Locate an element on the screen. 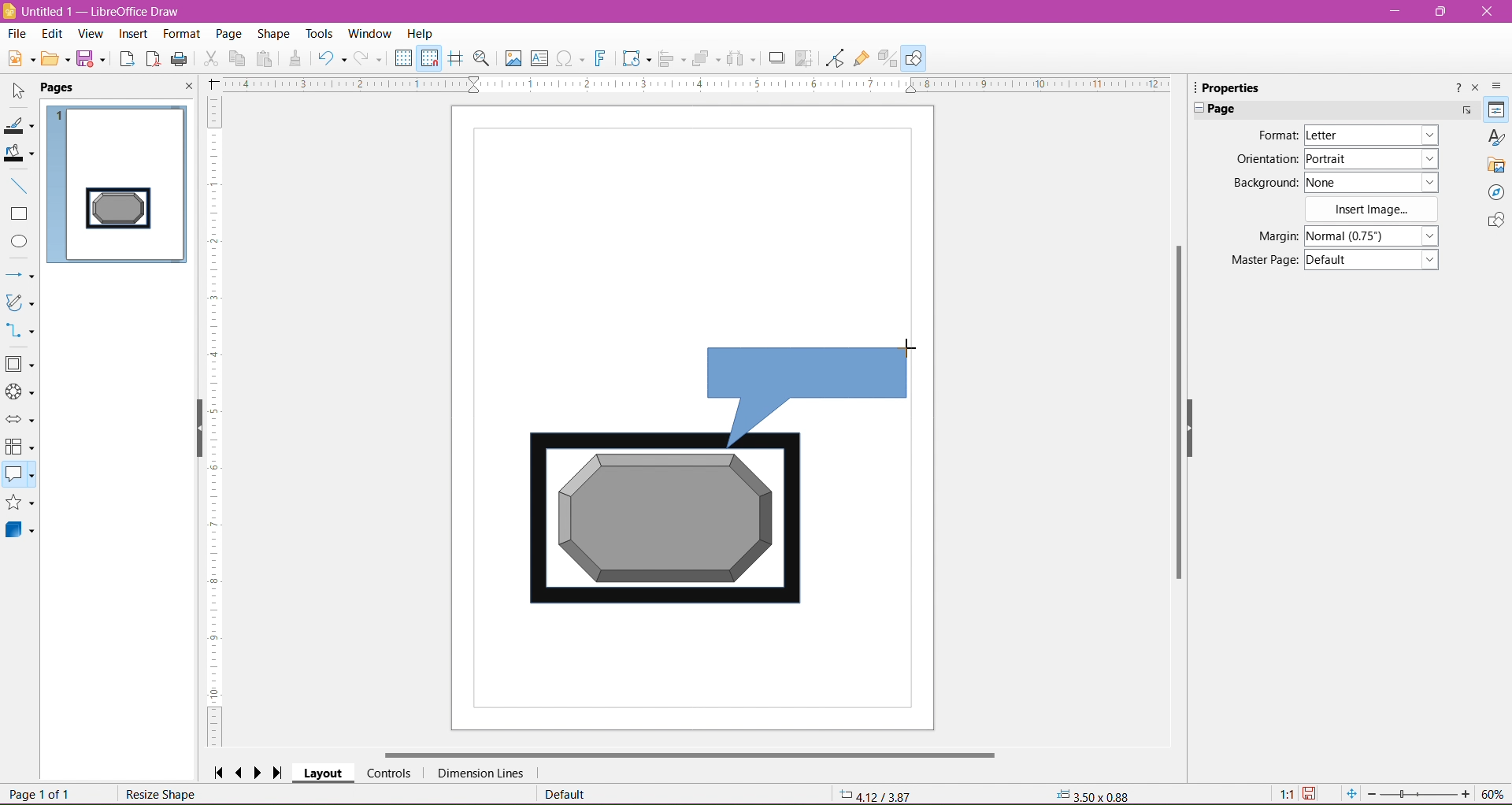 This screenshot has width=1512, height=805. View is located at coordinates (90, 33).